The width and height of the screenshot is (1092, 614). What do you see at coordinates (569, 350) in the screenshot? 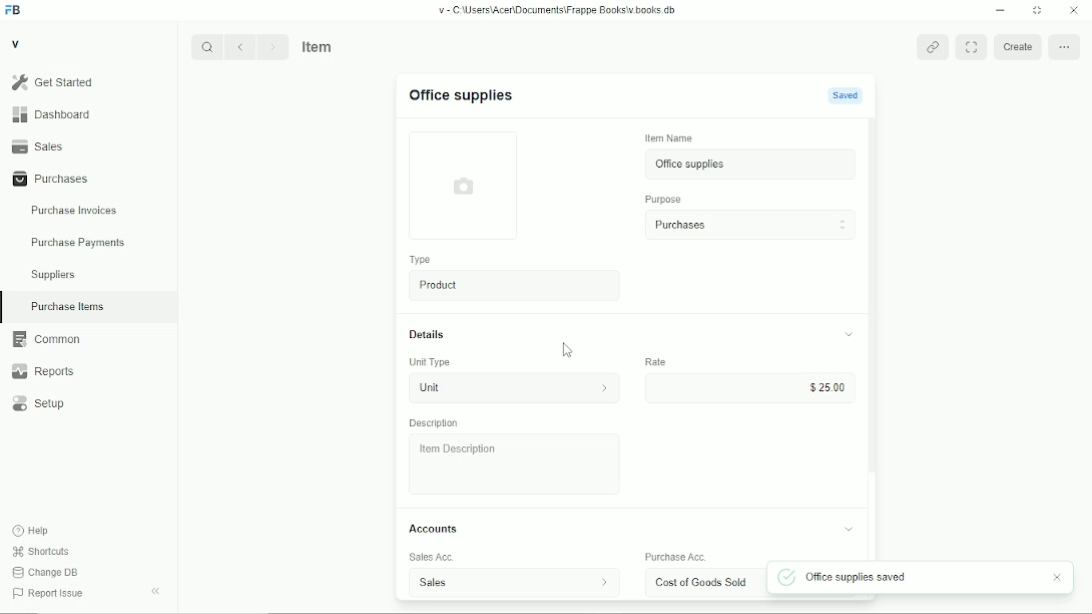
I see `cursor` at bounding box center [569, 350].